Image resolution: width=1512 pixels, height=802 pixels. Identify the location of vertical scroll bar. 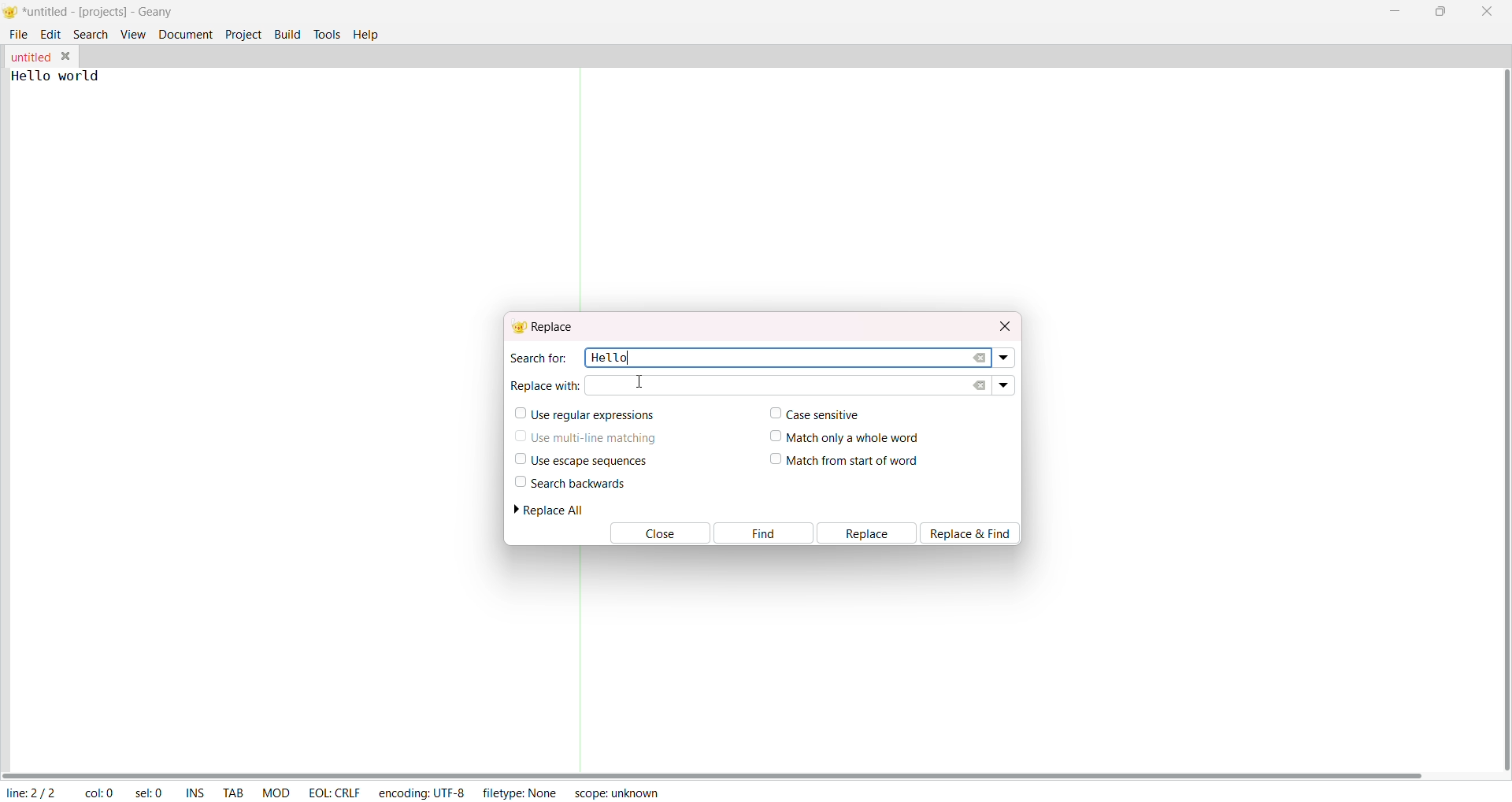
(1501, 420).